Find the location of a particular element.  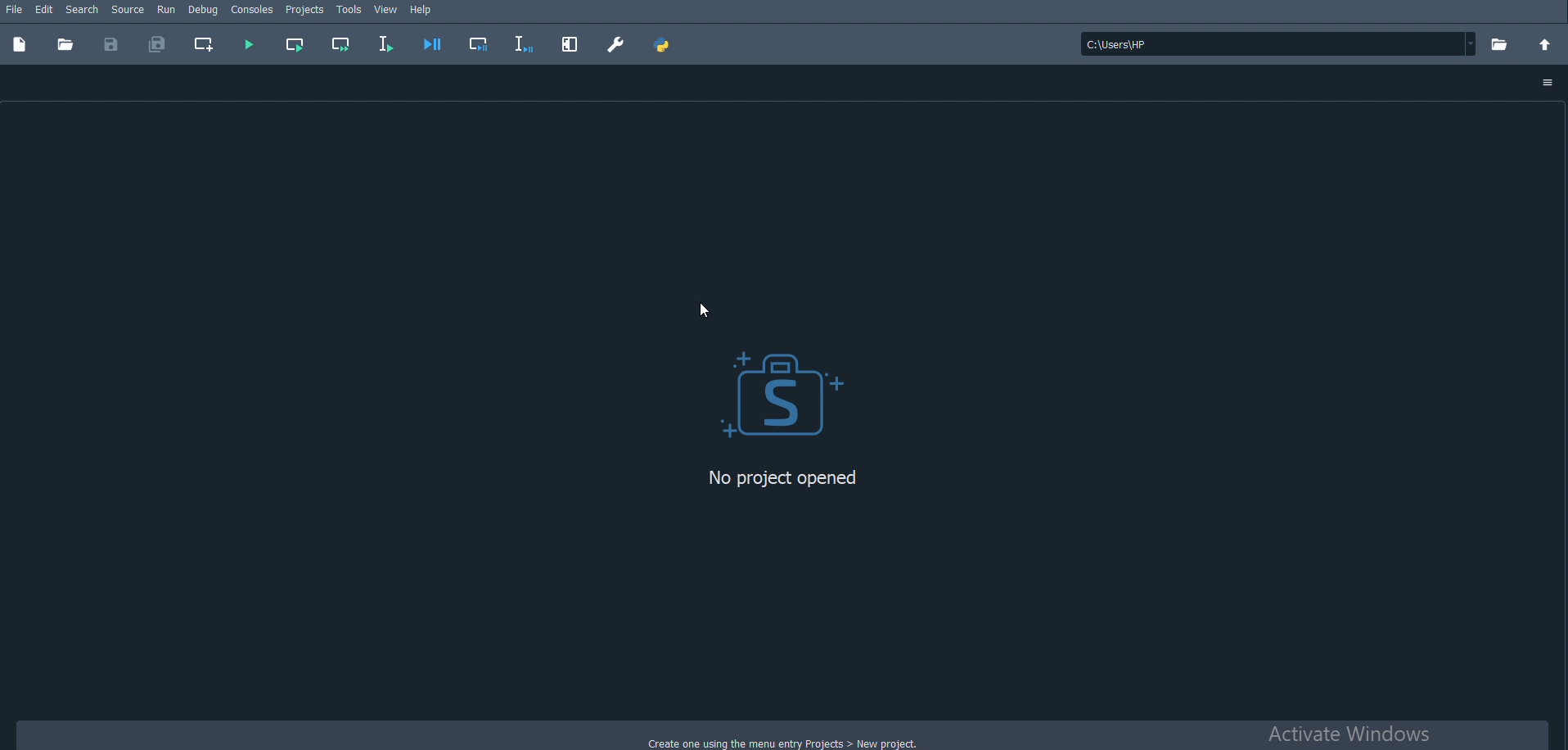

create new cell at the current line is located at coordinates (201, 45).